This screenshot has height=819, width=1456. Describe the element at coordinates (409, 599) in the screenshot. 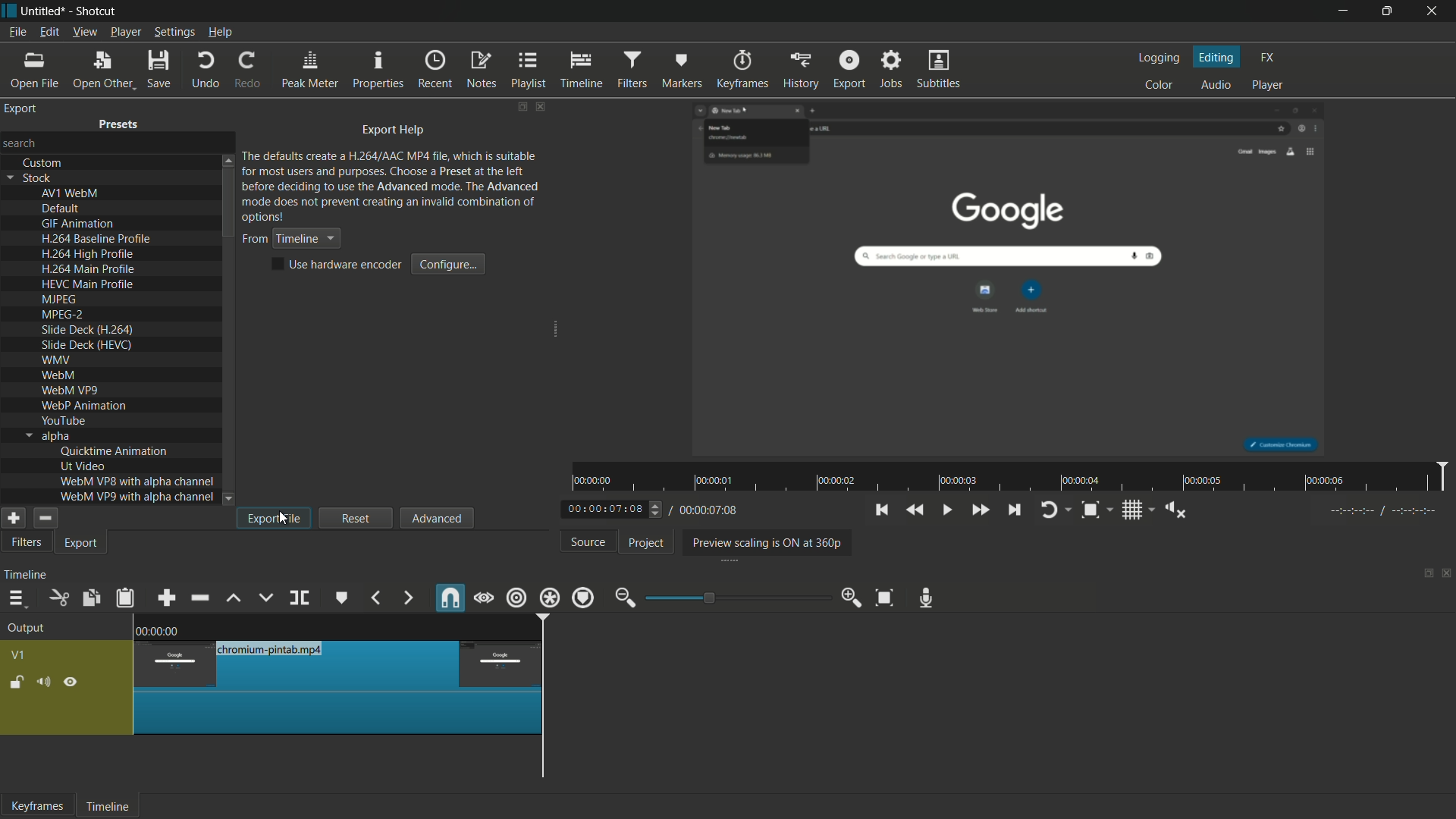

I see `next marker` at that location.